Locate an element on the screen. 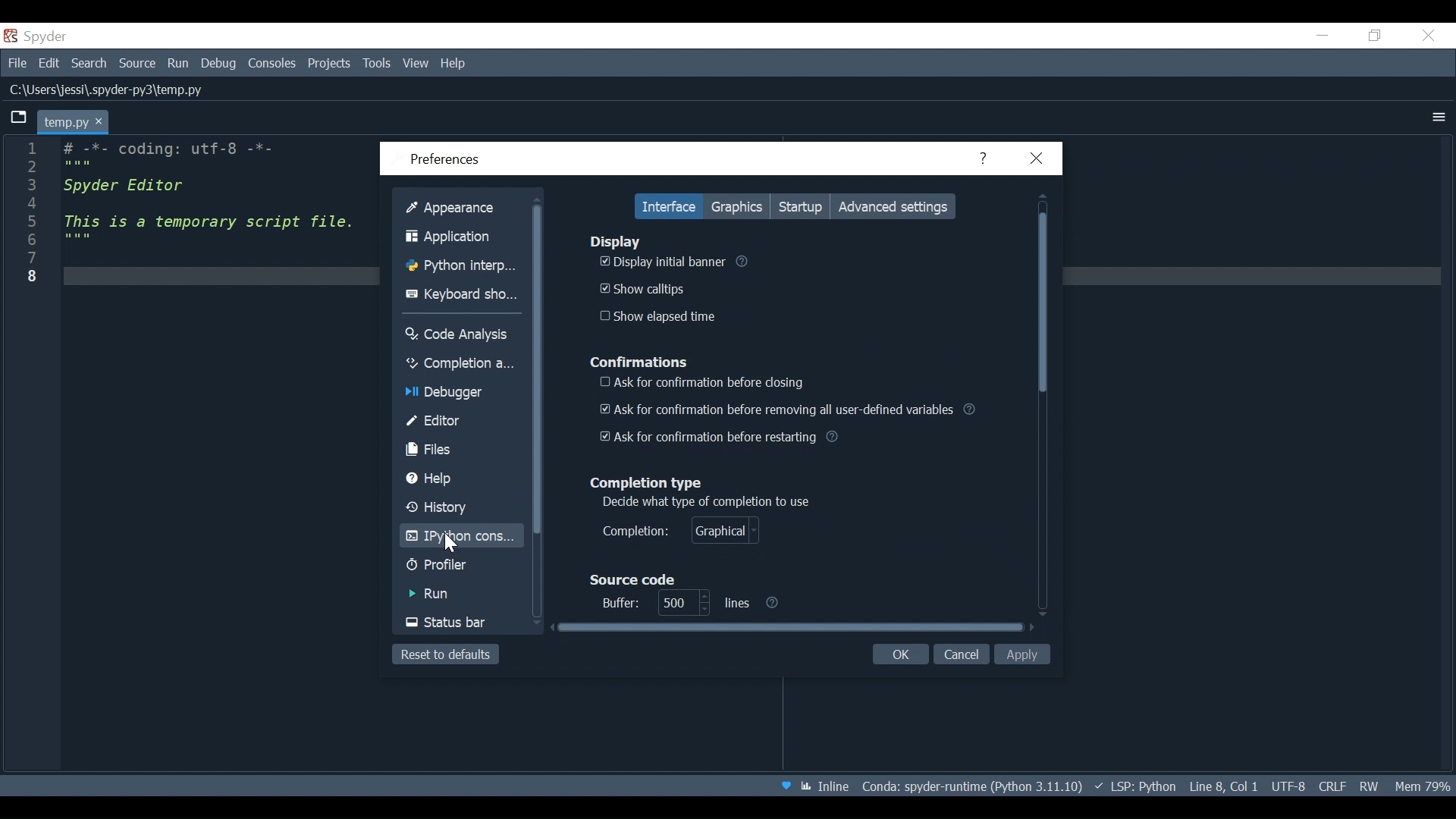  Horizontal Scroll bar is located at coordinates (792, 628).